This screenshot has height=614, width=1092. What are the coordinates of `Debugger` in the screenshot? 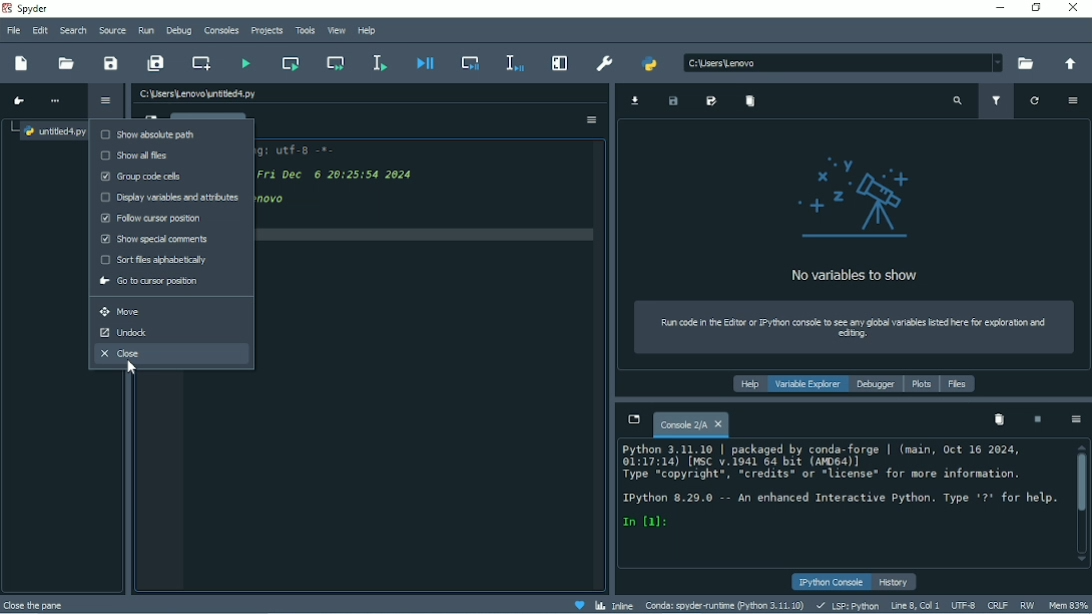 It's located at (877, 385).